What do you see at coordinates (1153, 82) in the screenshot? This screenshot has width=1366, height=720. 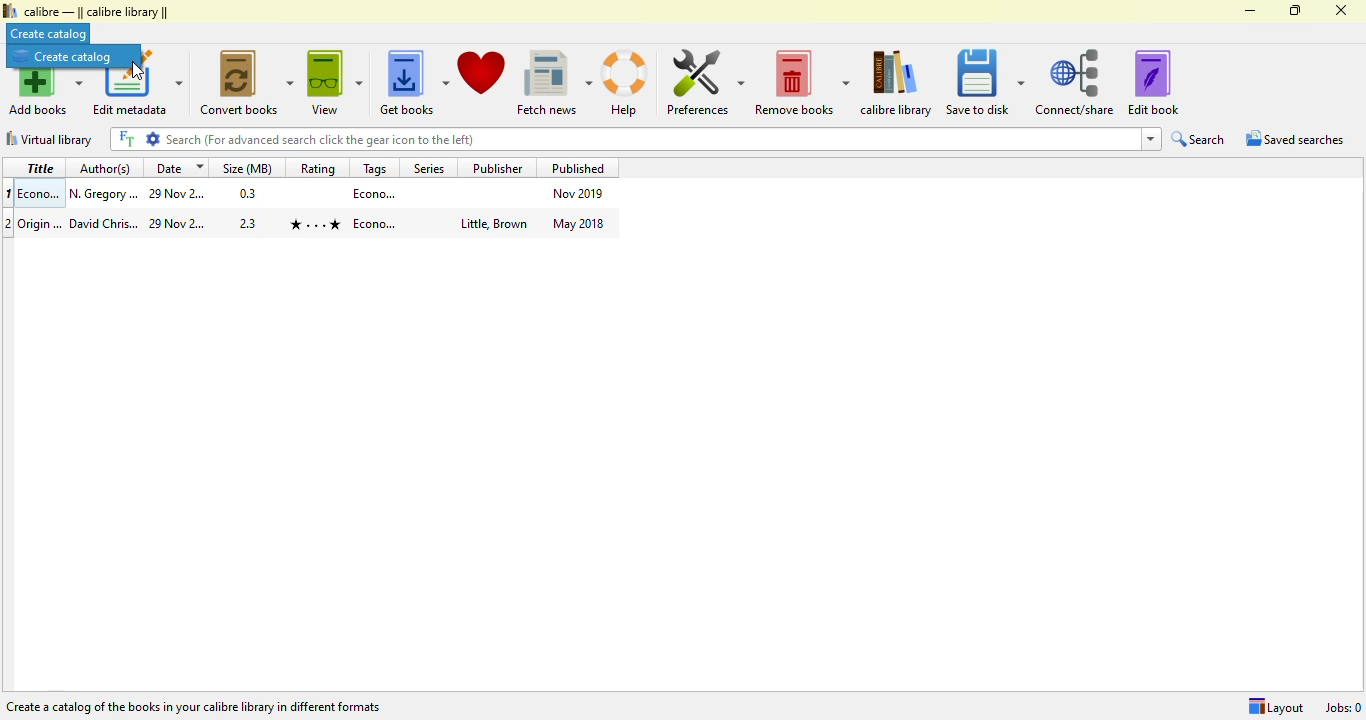 I see `edit book` at bounding box center [1153, 82].